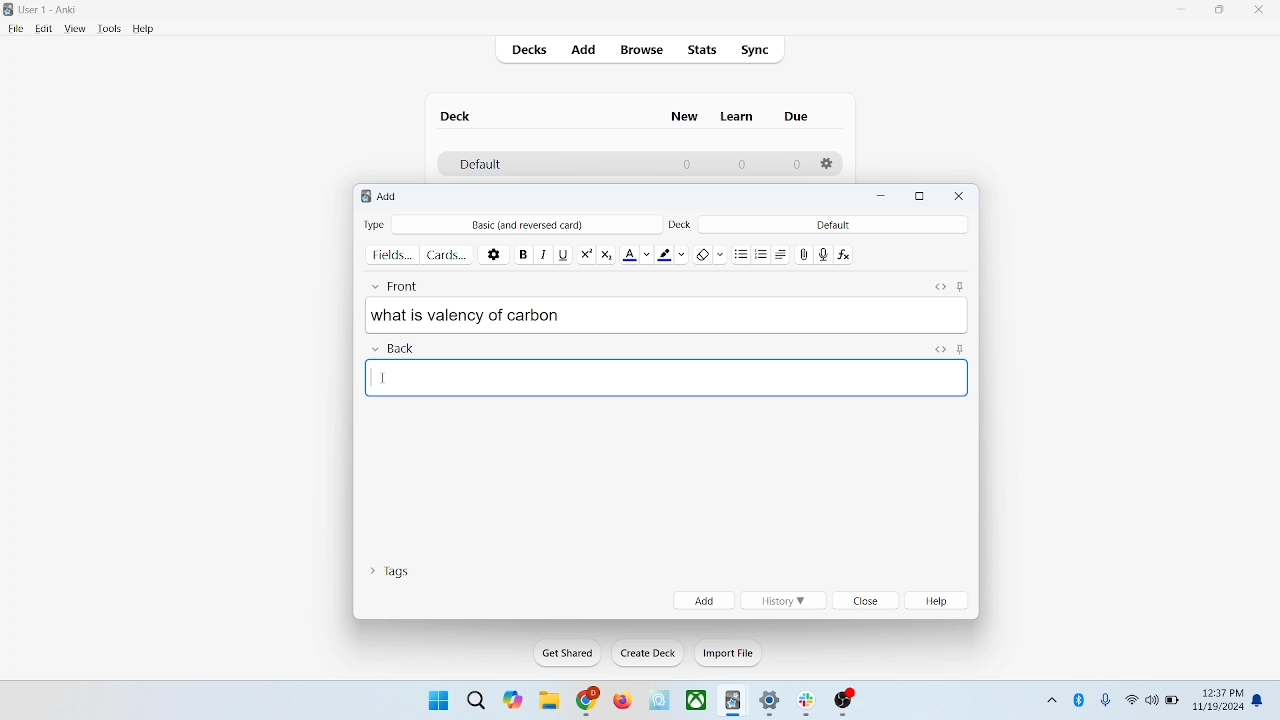 The width and height of the screenshot is (1280, 720). What do you see at coordinates (1131, 699) in the screenshot?
I see `wifi` at bounding box center [1131, 699].